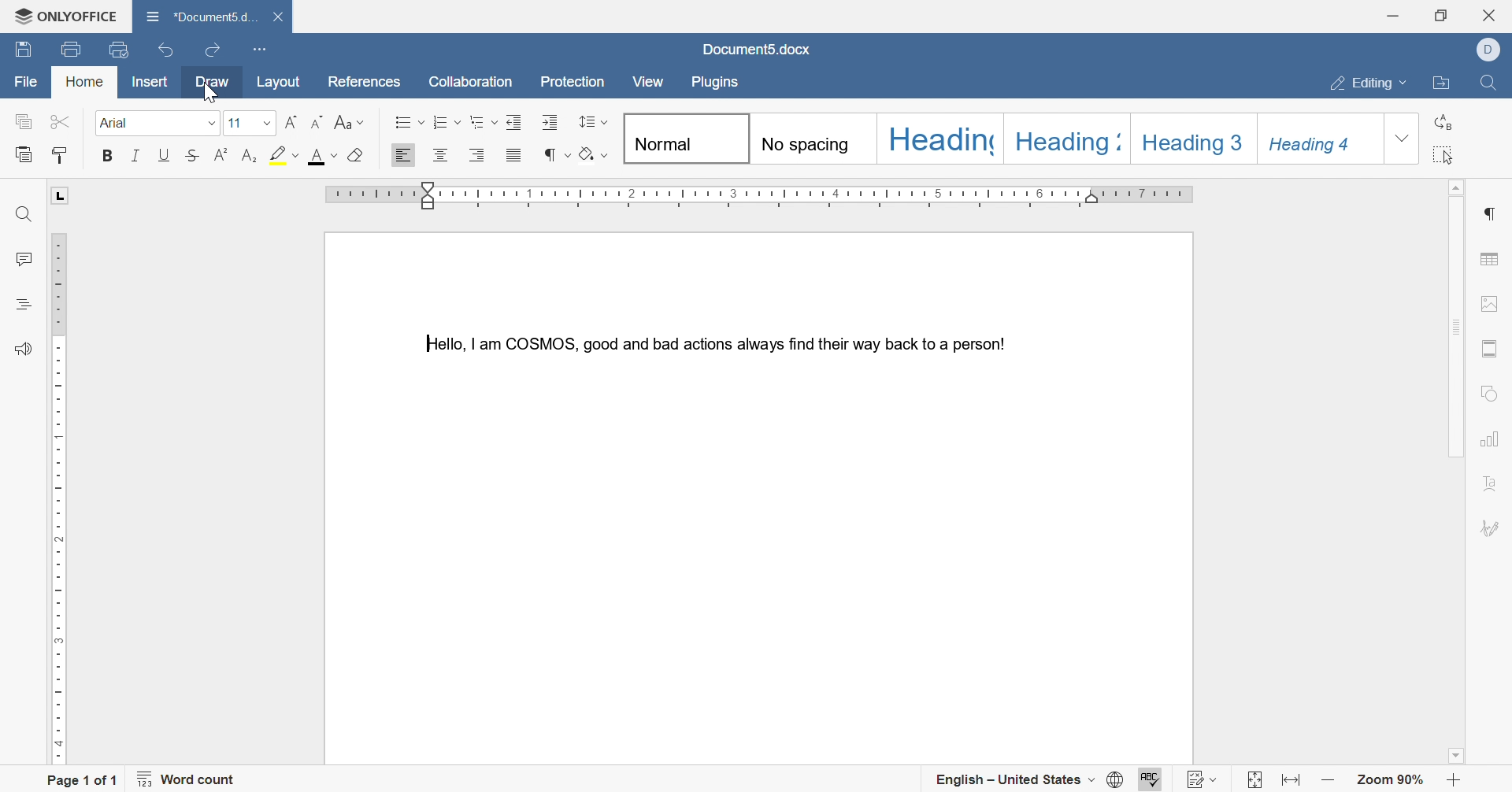 Image resolution: width=1512 pixels, height=792 pixels. I want to click on scroll bar, so click(1455, 324).